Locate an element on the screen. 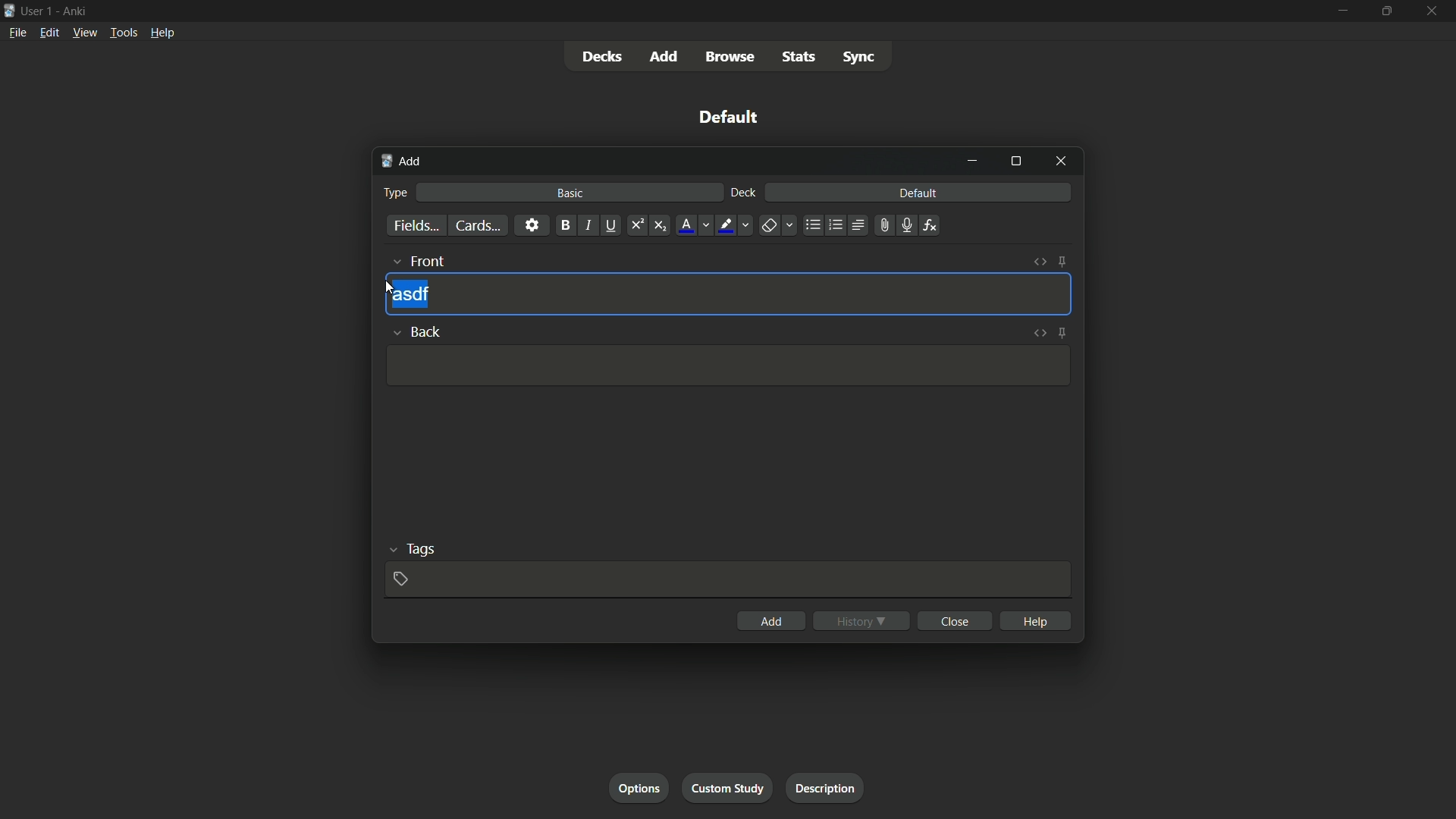  fields is located at coordinates (416, 225).